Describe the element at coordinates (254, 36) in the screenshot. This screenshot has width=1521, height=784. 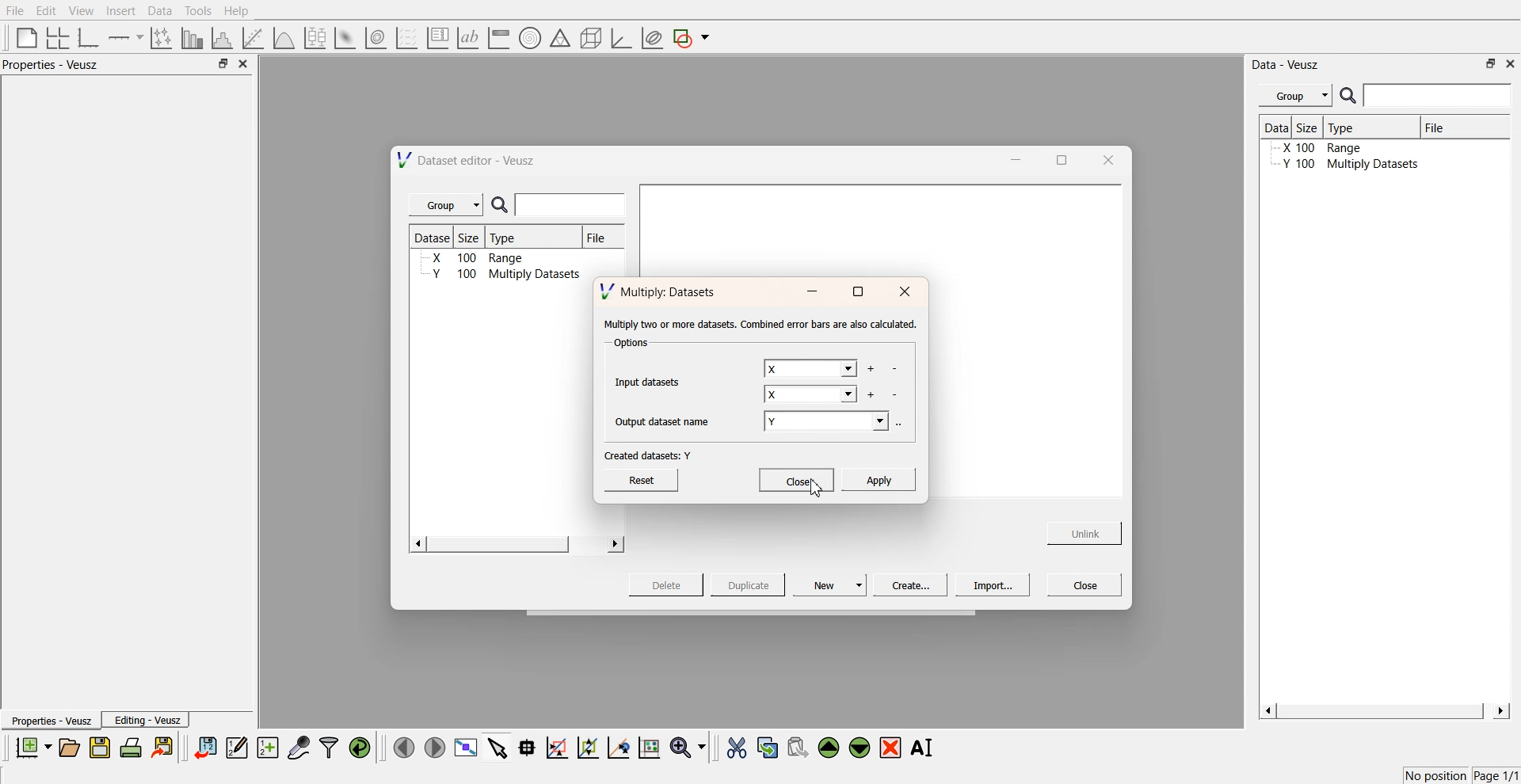
I see `fit a function` at that location.